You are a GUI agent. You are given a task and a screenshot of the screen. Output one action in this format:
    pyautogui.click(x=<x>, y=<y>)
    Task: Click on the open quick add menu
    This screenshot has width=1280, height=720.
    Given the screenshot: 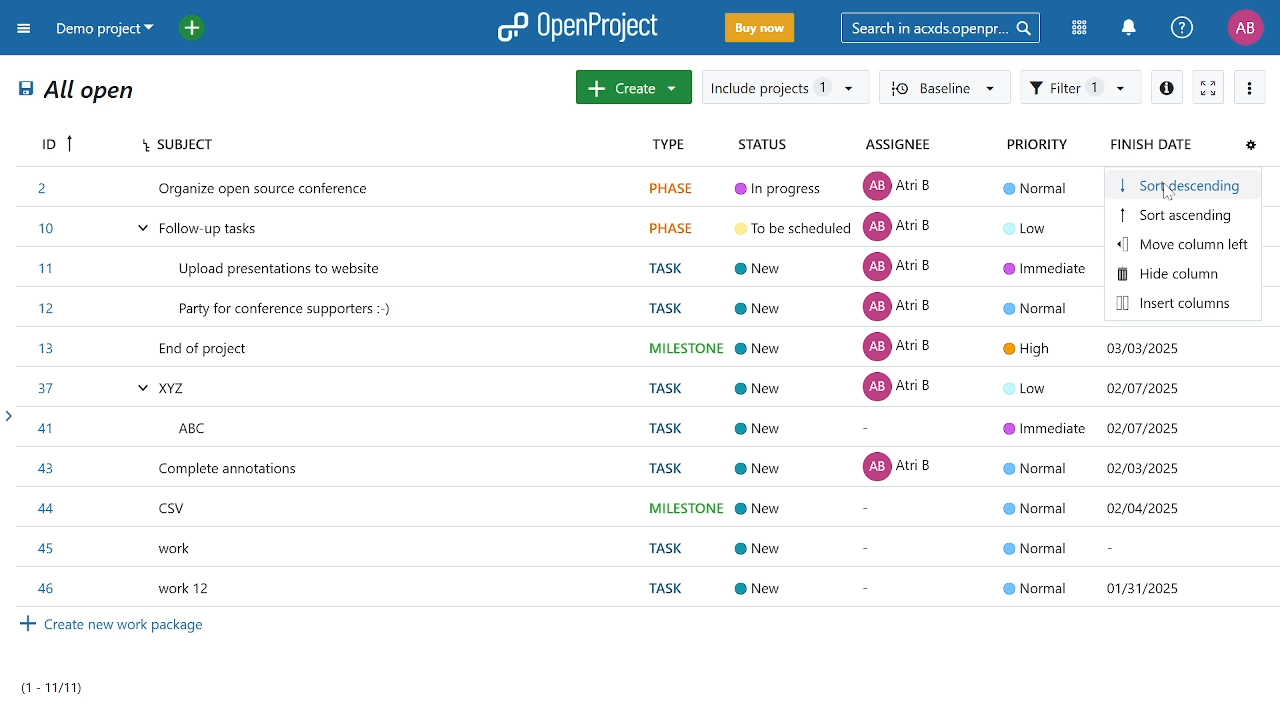 What is the action you would take?
    pyautogui.click(x=196, y=28)
    